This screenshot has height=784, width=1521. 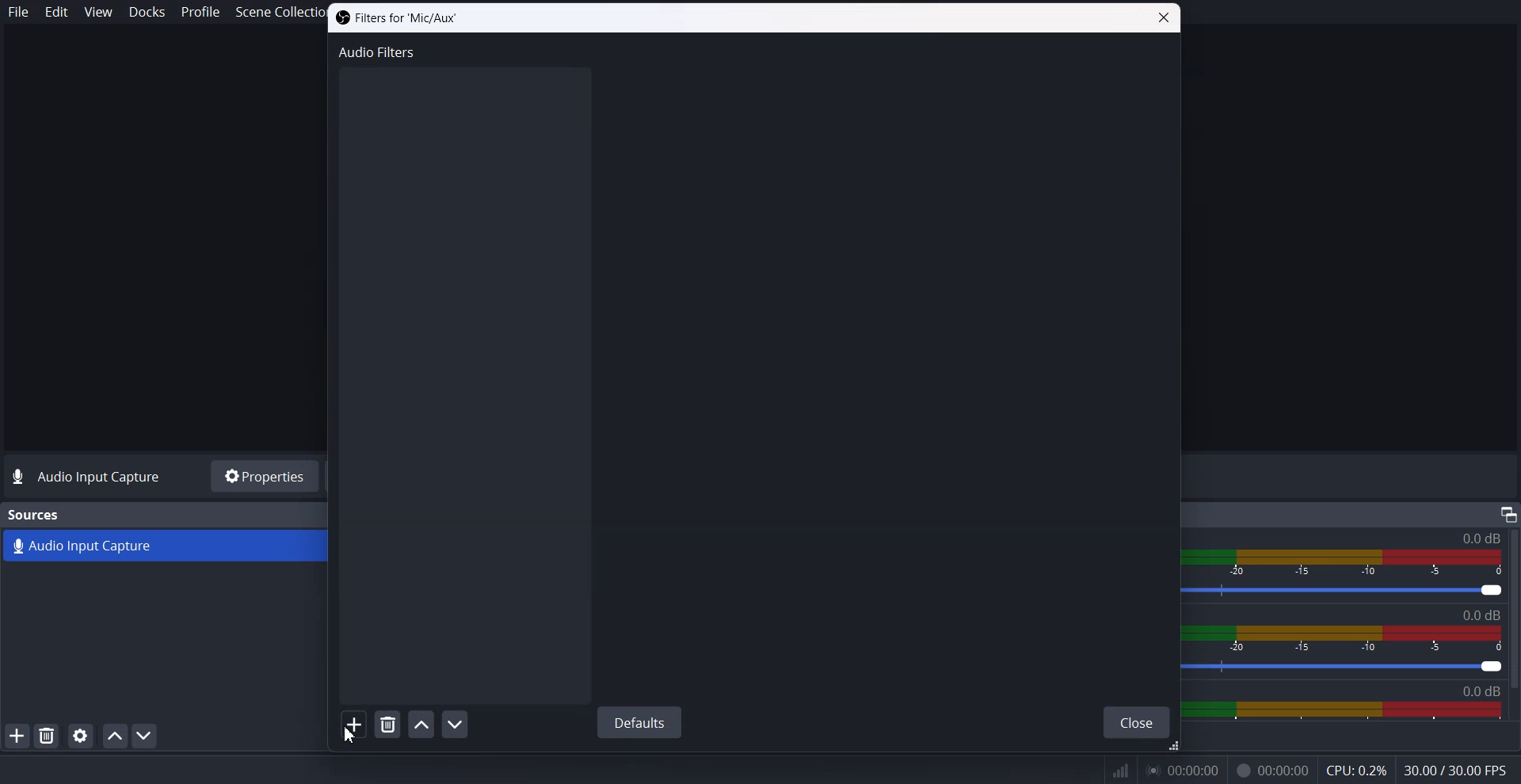 I want to click on View, so click(x=97, y=11).